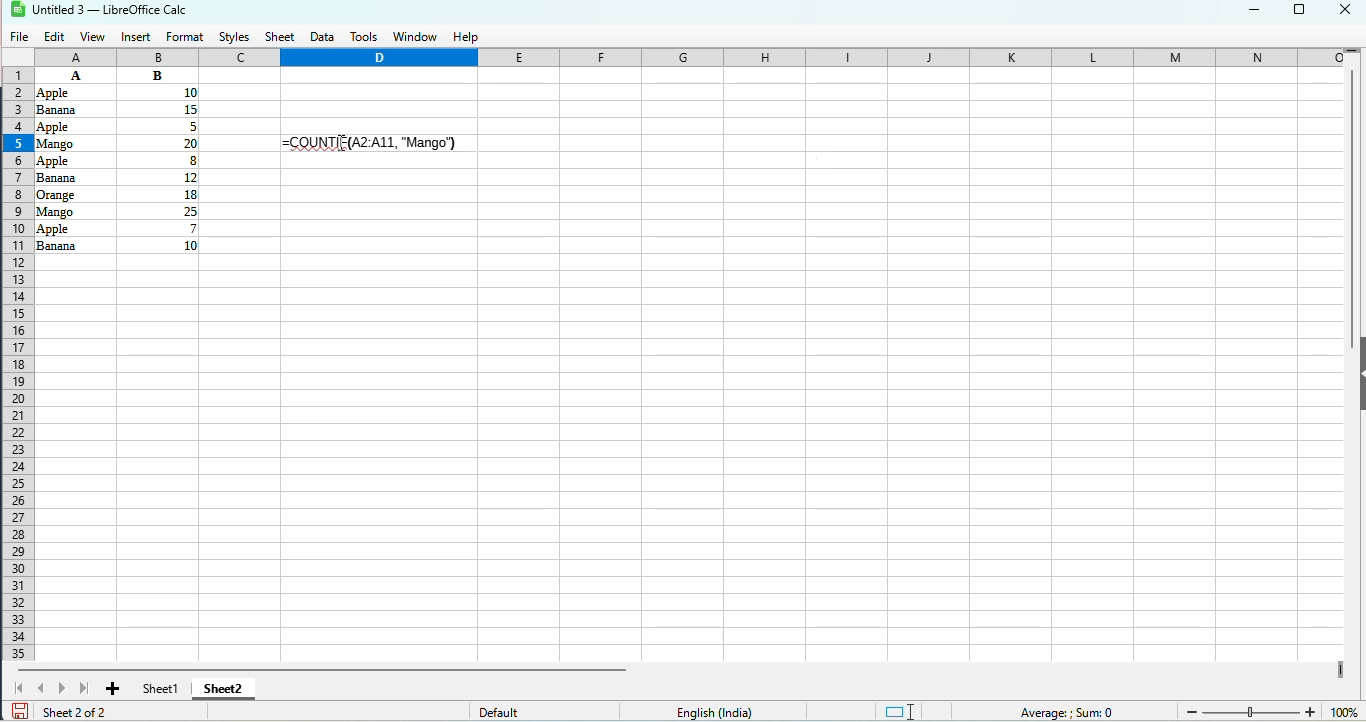 This screenshot has height=722, width=1366. Describe the element at coordinates (112, 689) in the screenshot. I see `add new sheet` at that location.